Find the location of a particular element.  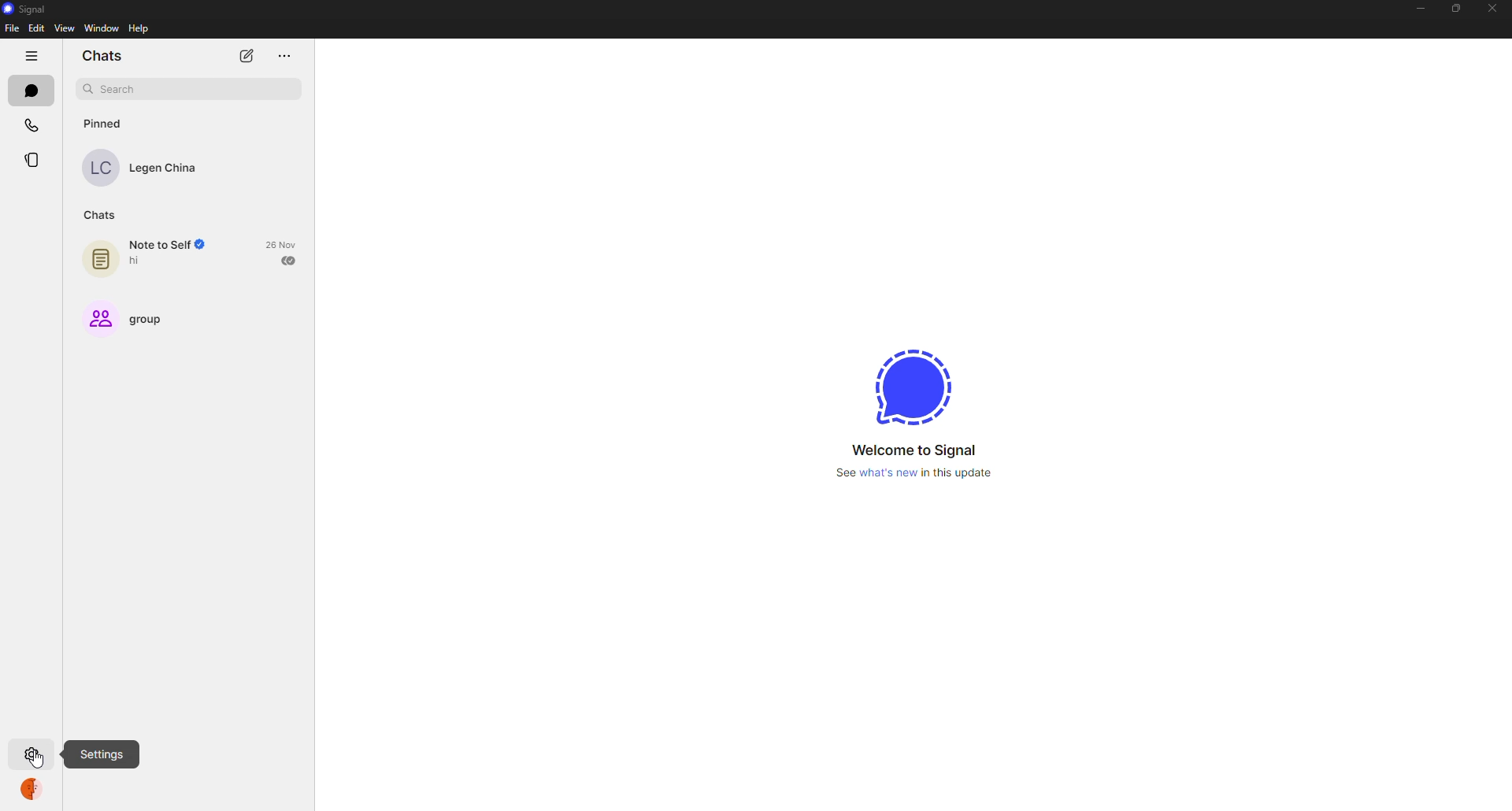

calls is located at coordinates (29, 127).